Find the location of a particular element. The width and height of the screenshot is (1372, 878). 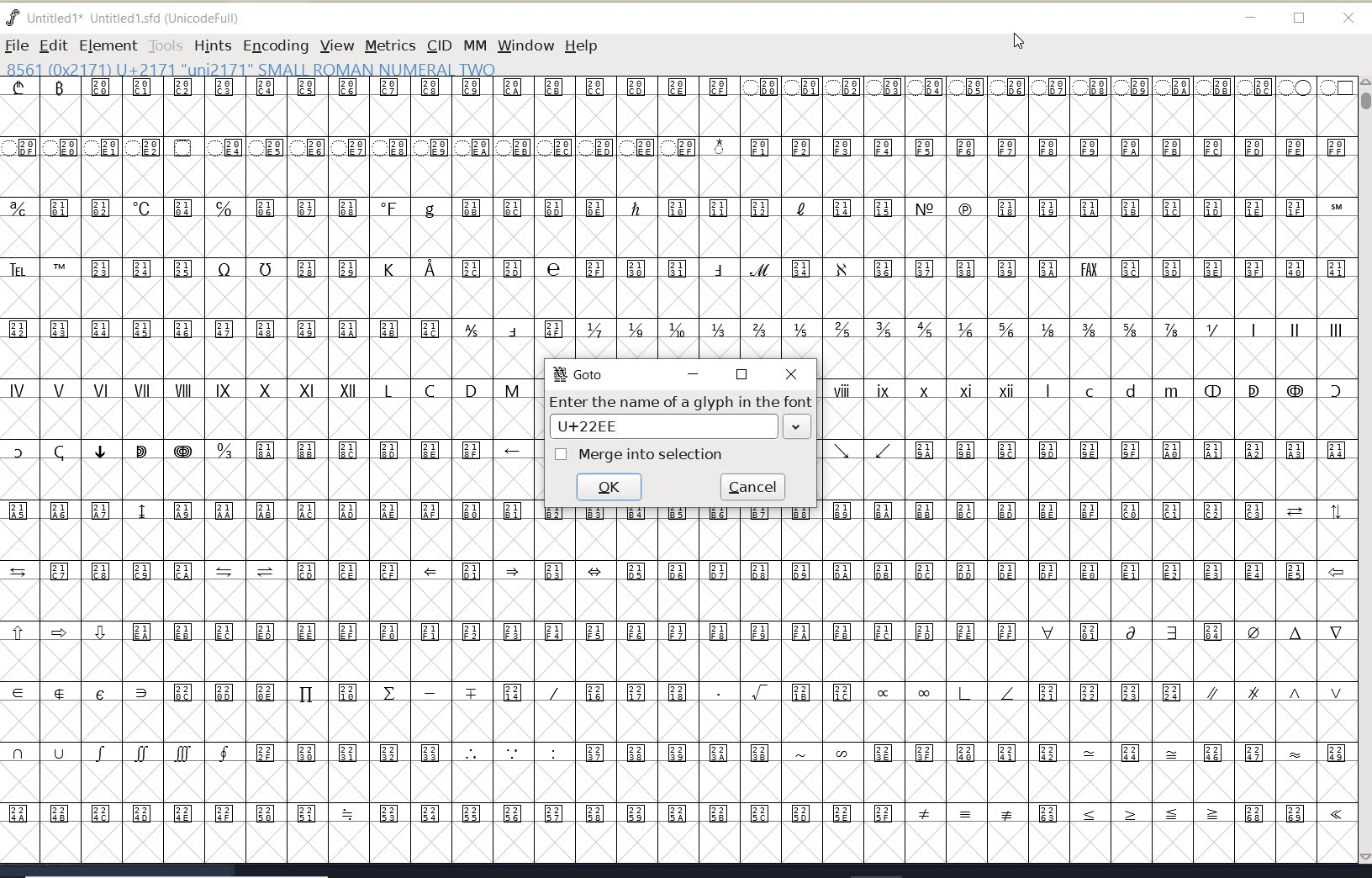

SCROLLBAR is located at coordinates (1364, 472).